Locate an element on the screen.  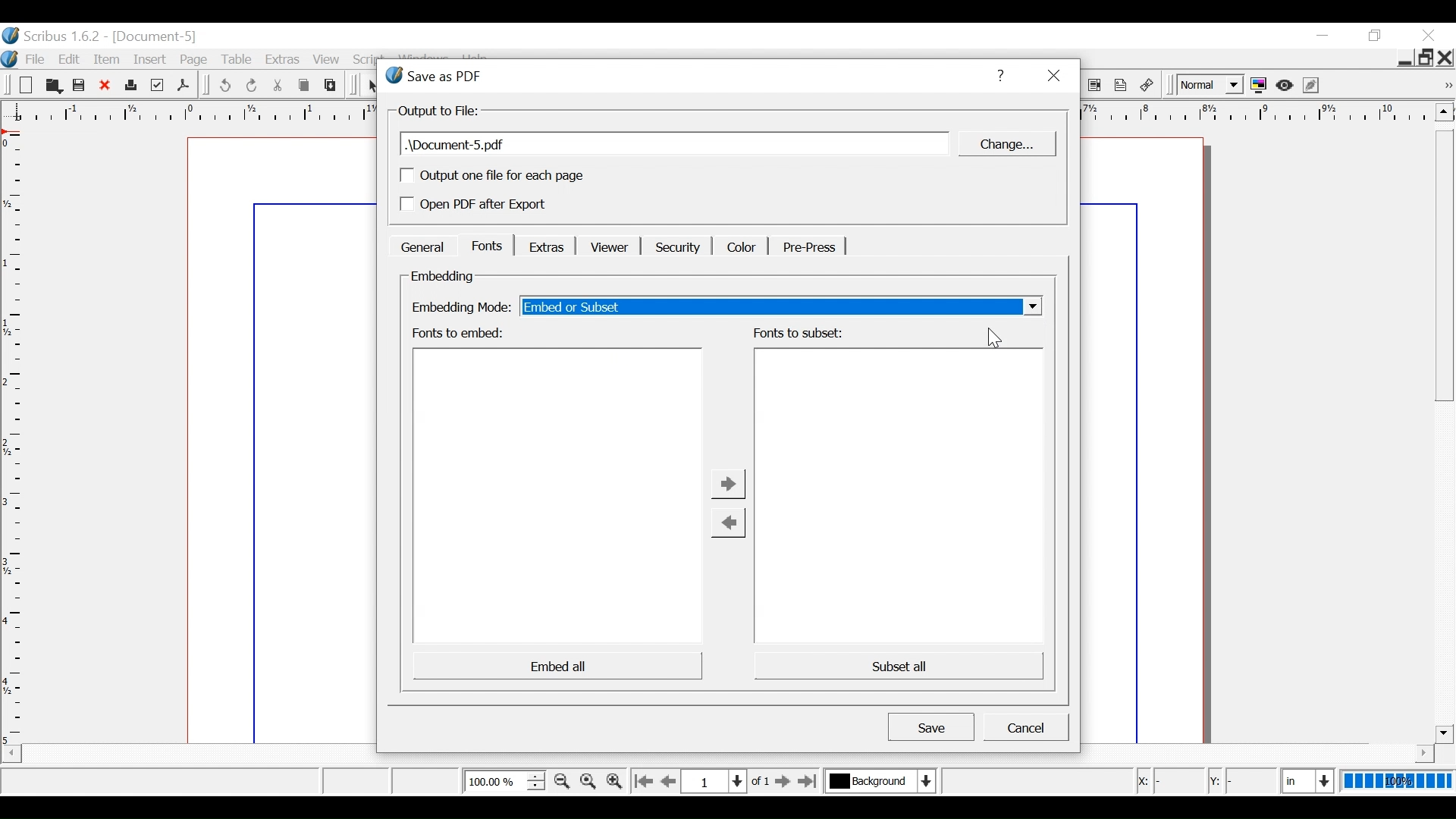
Subset all is located at coordinates (896, 665).